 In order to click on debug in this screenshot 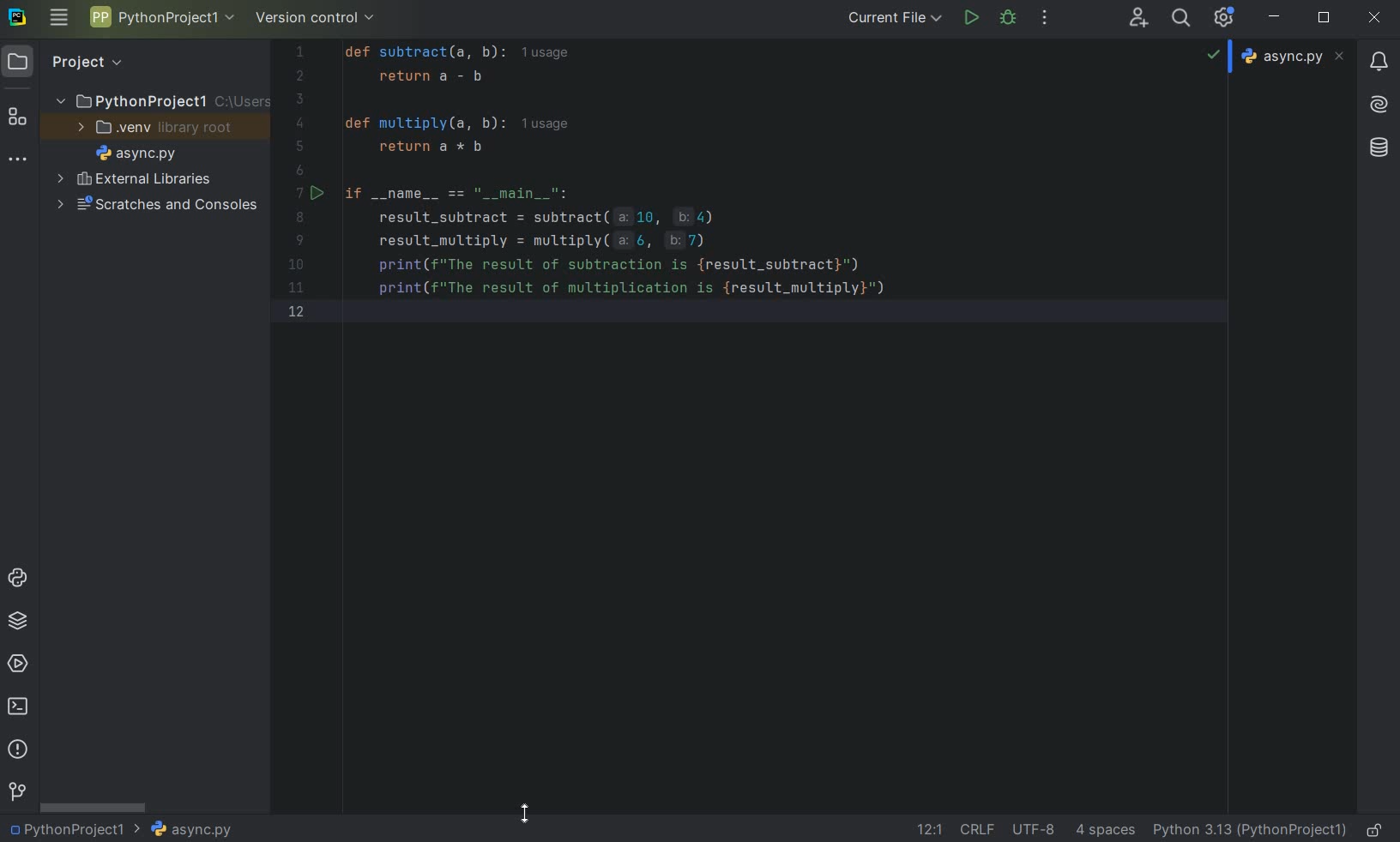, I will do `click(1010, 20)`.